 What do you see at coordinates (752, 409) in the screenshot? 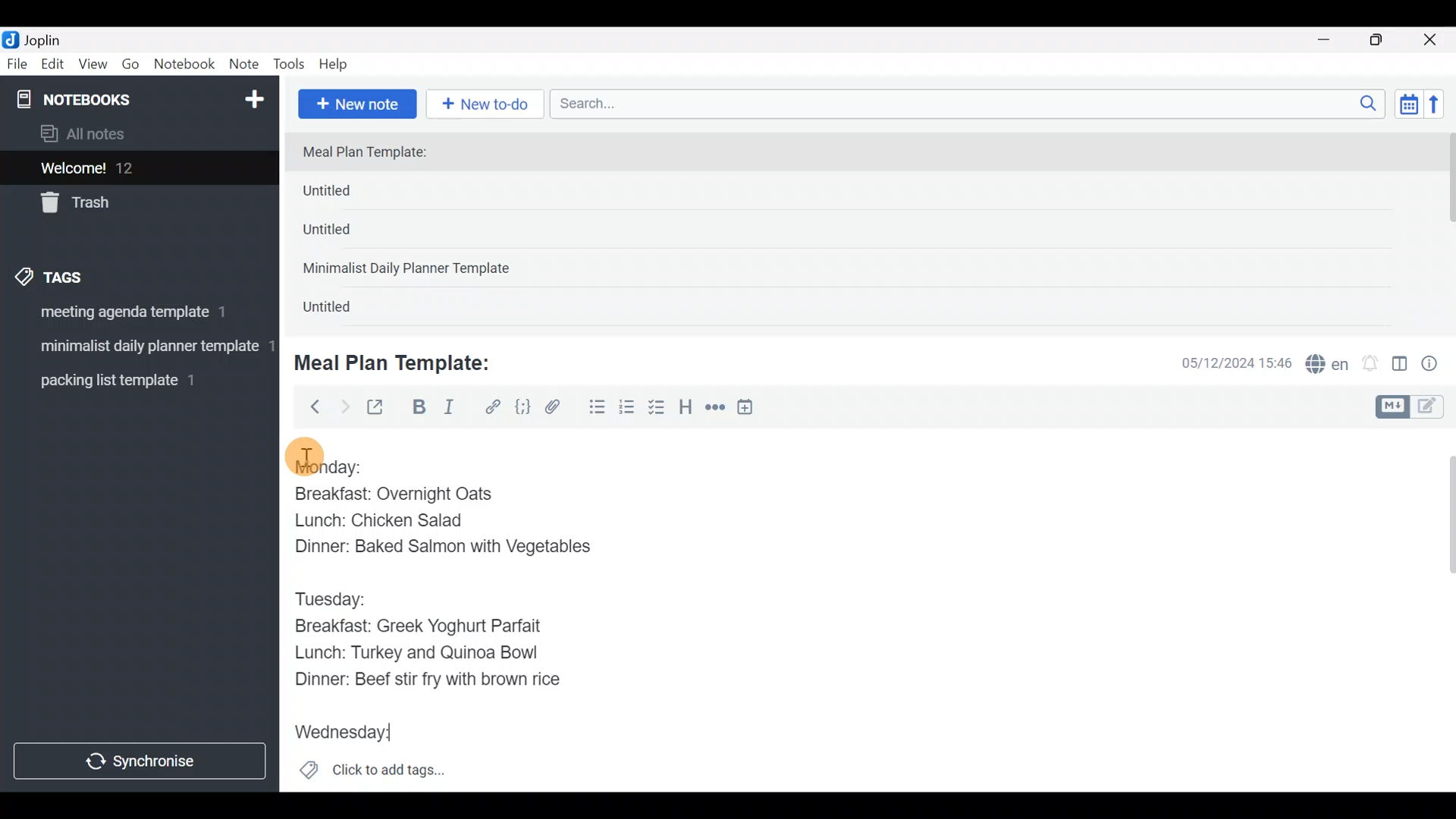
I see `Insert time` at bounding box center [752, 409].